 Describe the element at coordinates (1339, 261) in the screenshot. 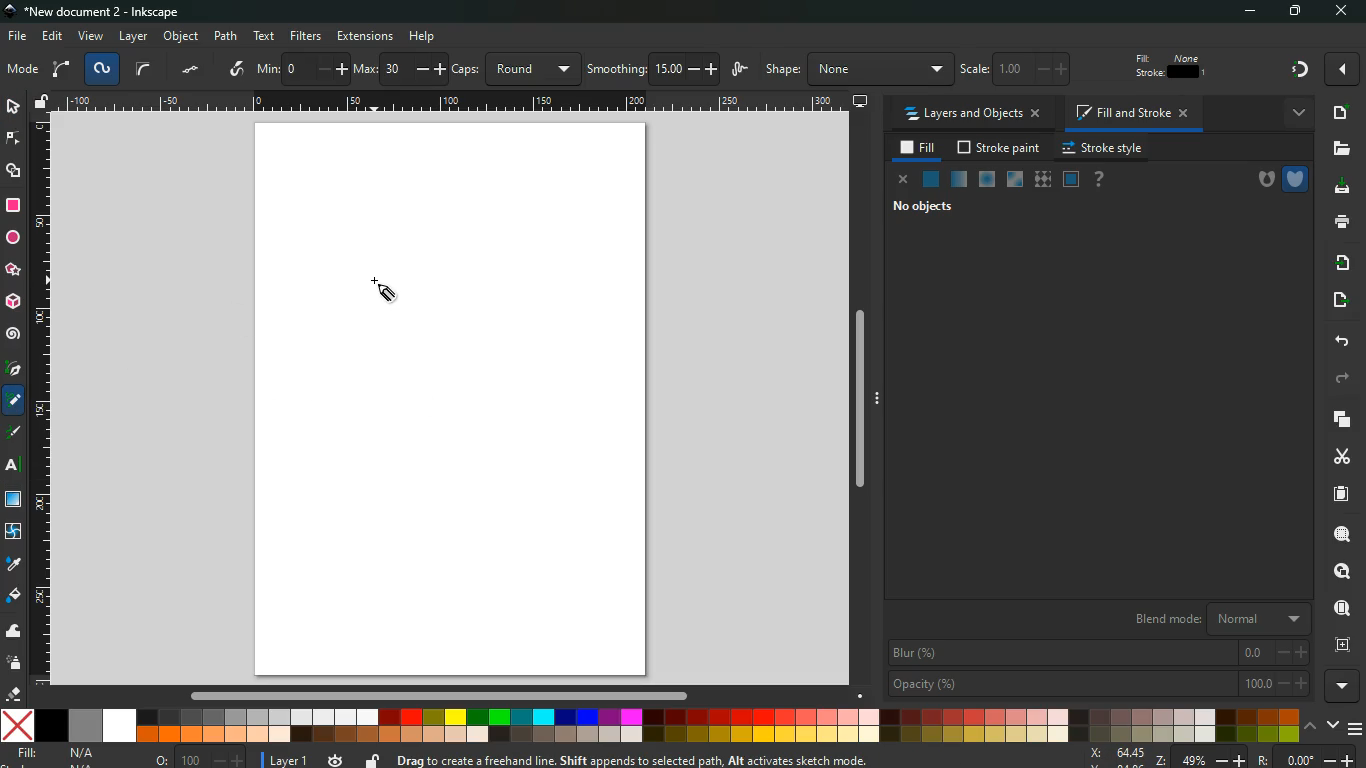

I see `receive` at that location.